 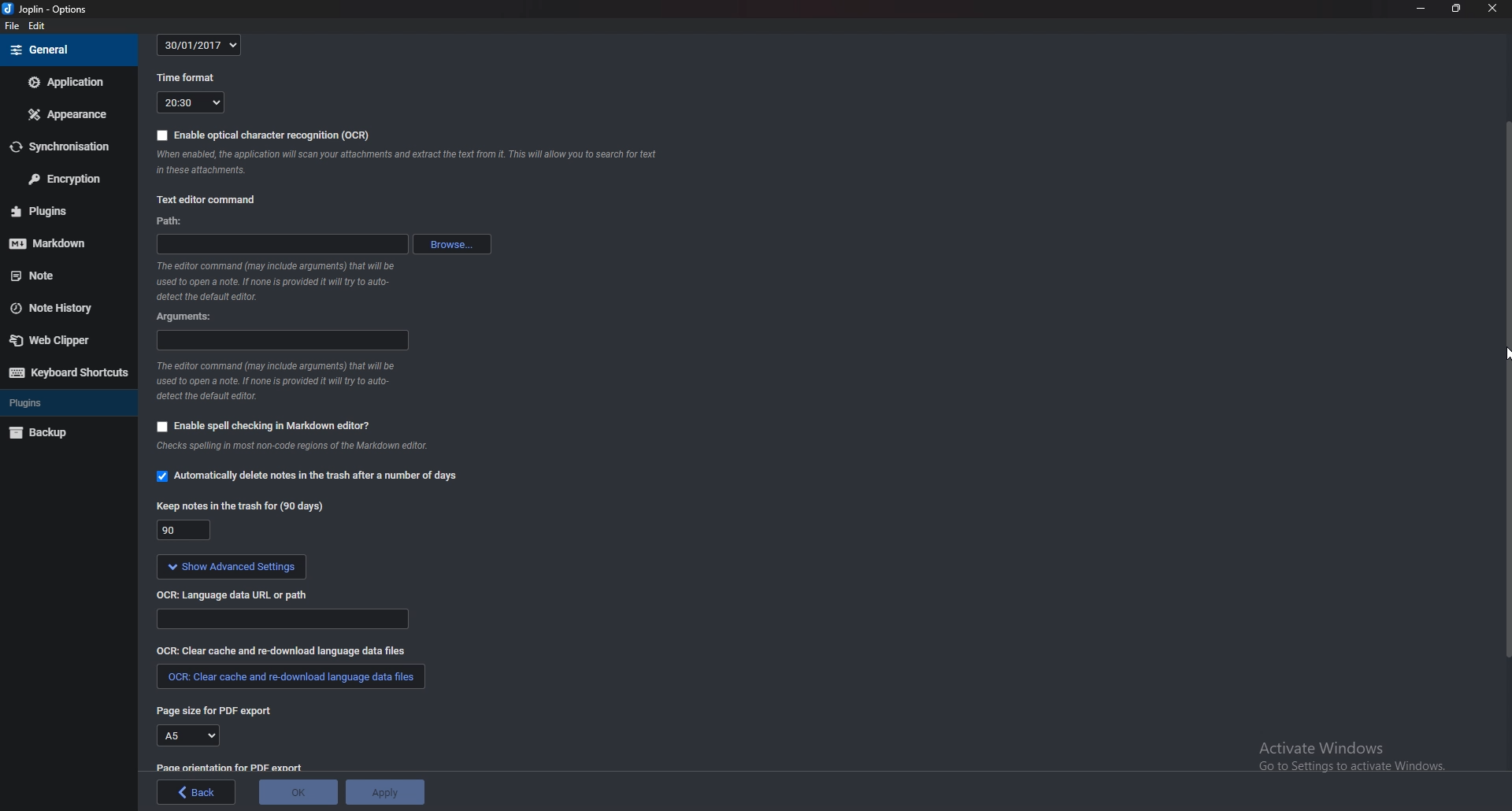 What do you see at coordinates (233, 567) in the screenshot?
I see `show advanced settings` at bounding box center [233, 567].